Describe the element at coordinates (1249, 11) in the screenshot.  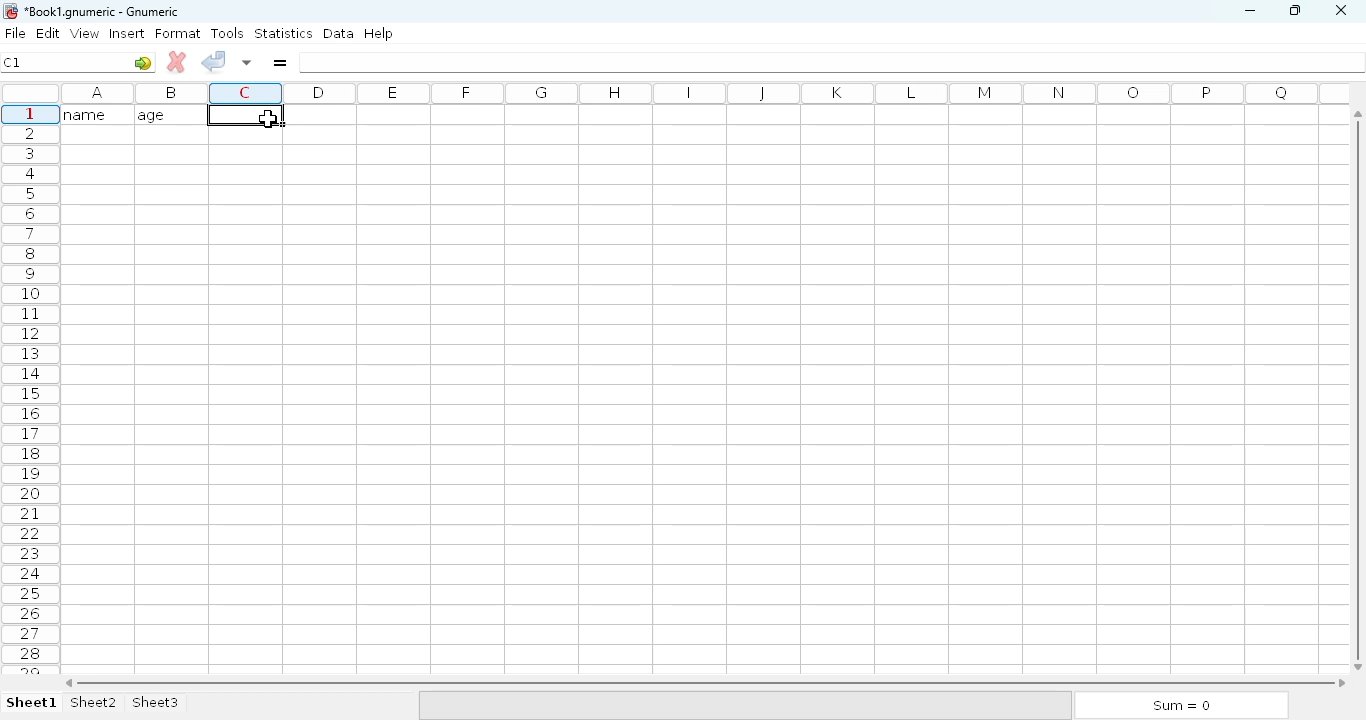
I see `minimize` at that location.